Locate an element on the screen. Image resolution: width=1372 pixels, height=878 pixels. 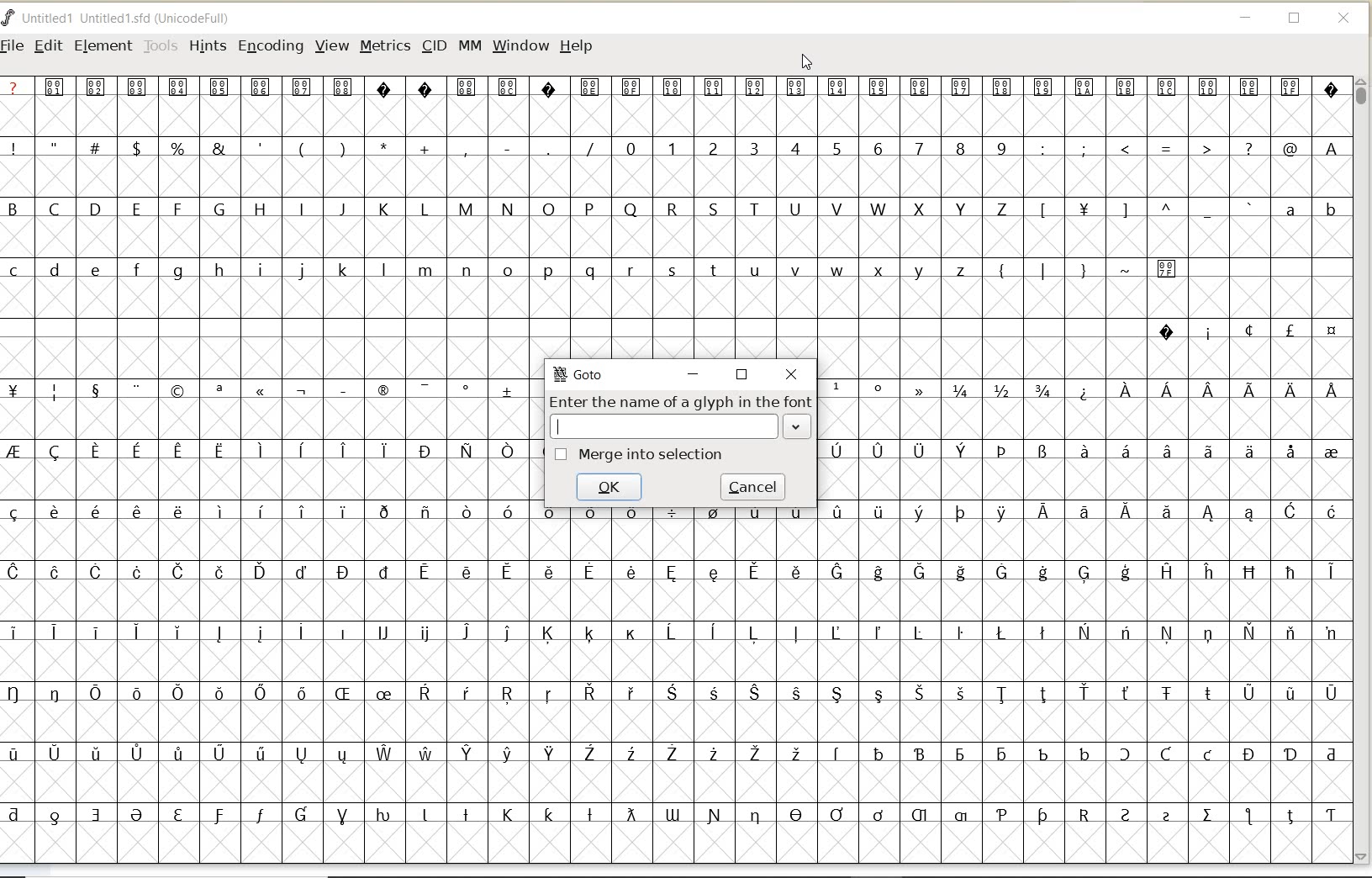
minimize is located at coordinates (693, 373).